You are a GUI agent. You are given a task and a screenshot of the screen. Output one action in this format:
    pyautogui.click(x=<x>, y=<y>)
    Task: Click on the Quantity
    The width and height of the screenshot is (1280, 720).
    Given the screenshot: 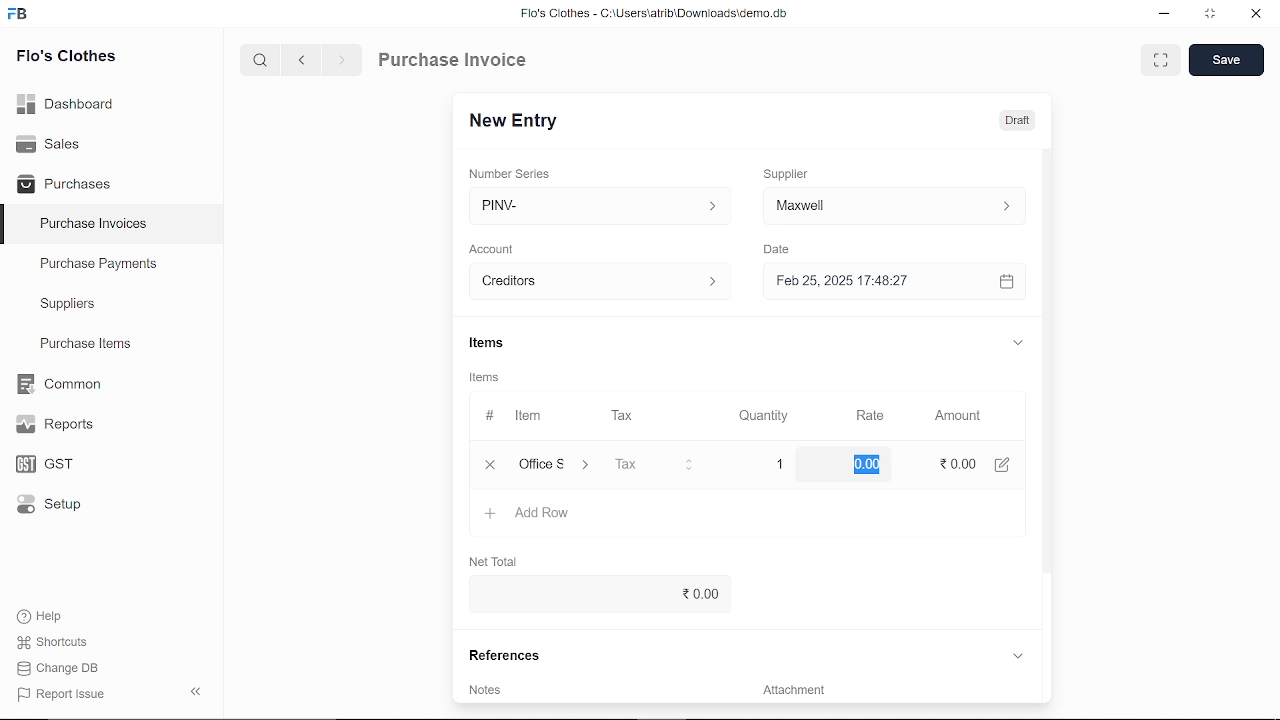 What is the action you would take?
    pyautogui.click(x=766, y=415)
    